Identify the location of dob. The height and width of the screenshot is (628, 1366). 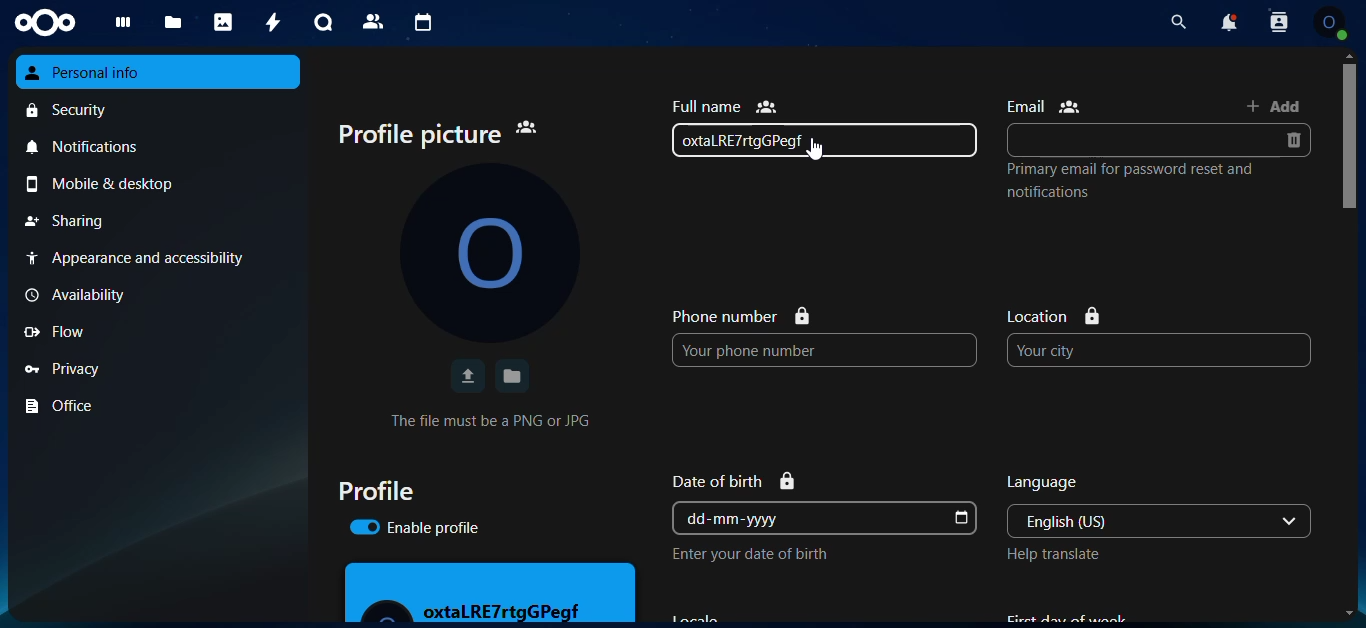
(959, 519).